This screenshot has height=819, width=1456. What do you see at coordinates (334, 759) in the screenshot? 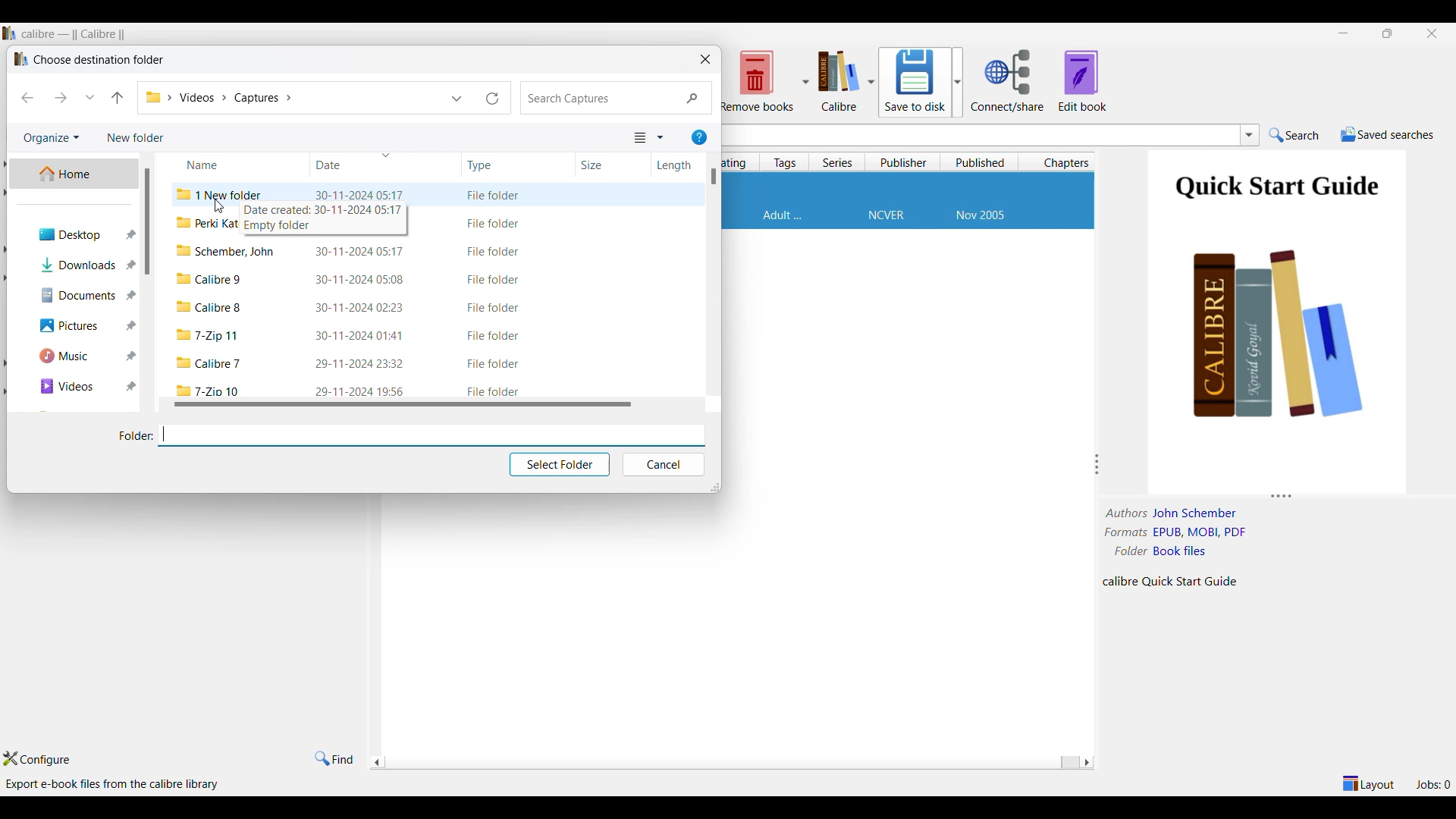
I see `Find` at bounding box center [334, 759].